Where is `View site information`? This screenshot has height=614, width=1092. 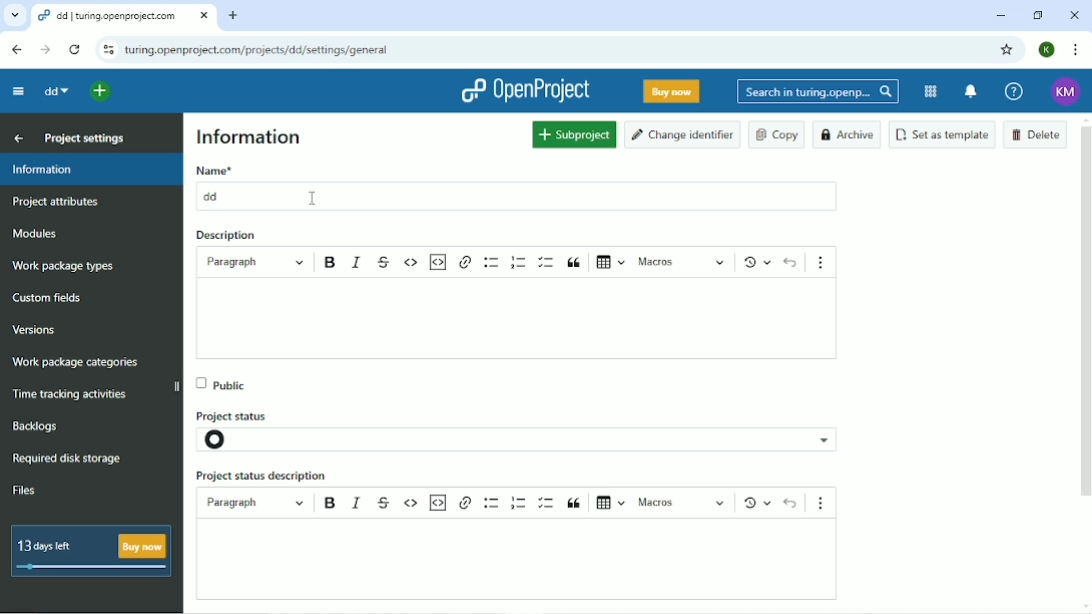
View site information is located at coordinates (107, 49).